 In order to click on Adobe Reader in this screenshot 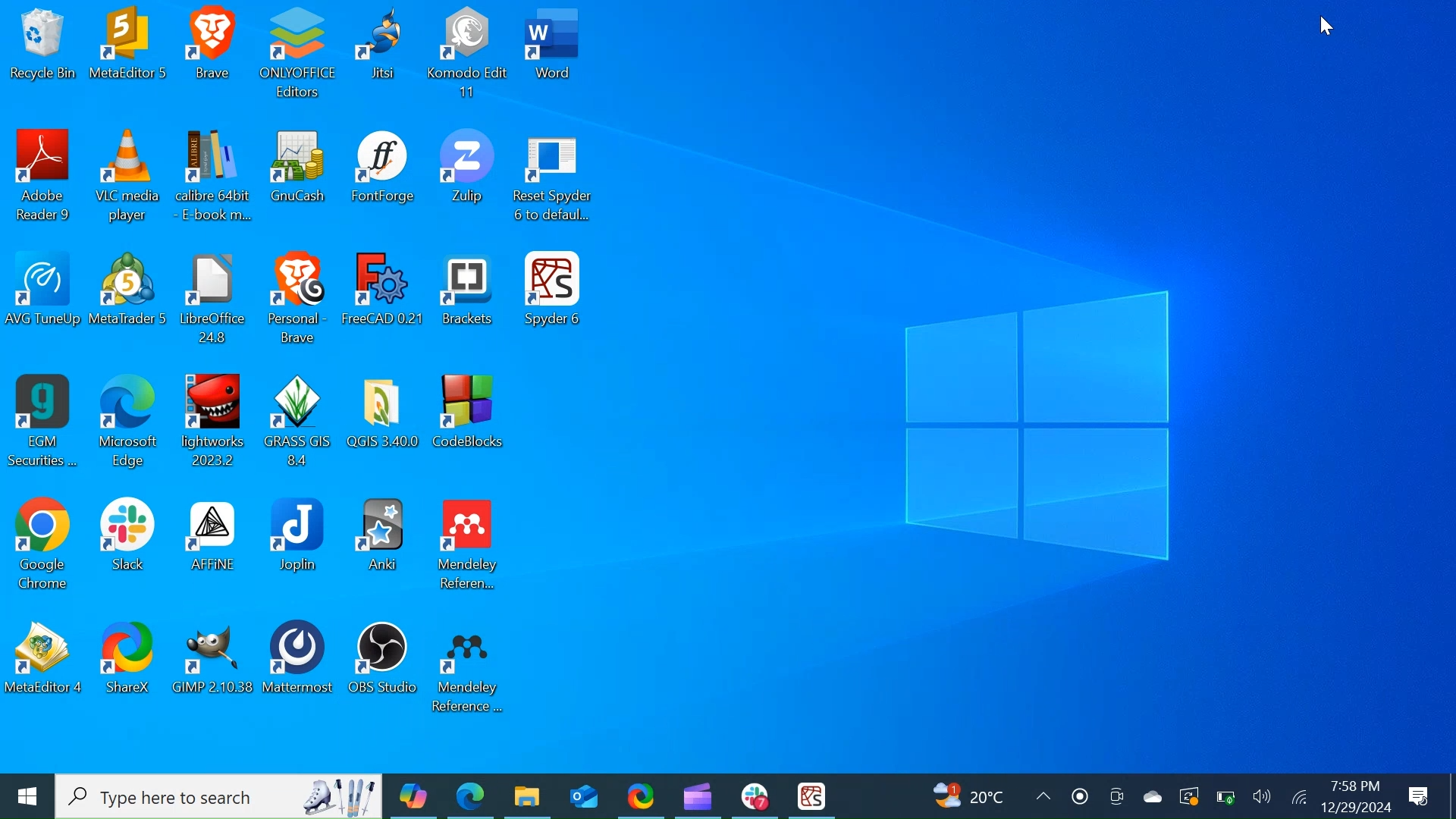, I will do `click(43, 177)`.